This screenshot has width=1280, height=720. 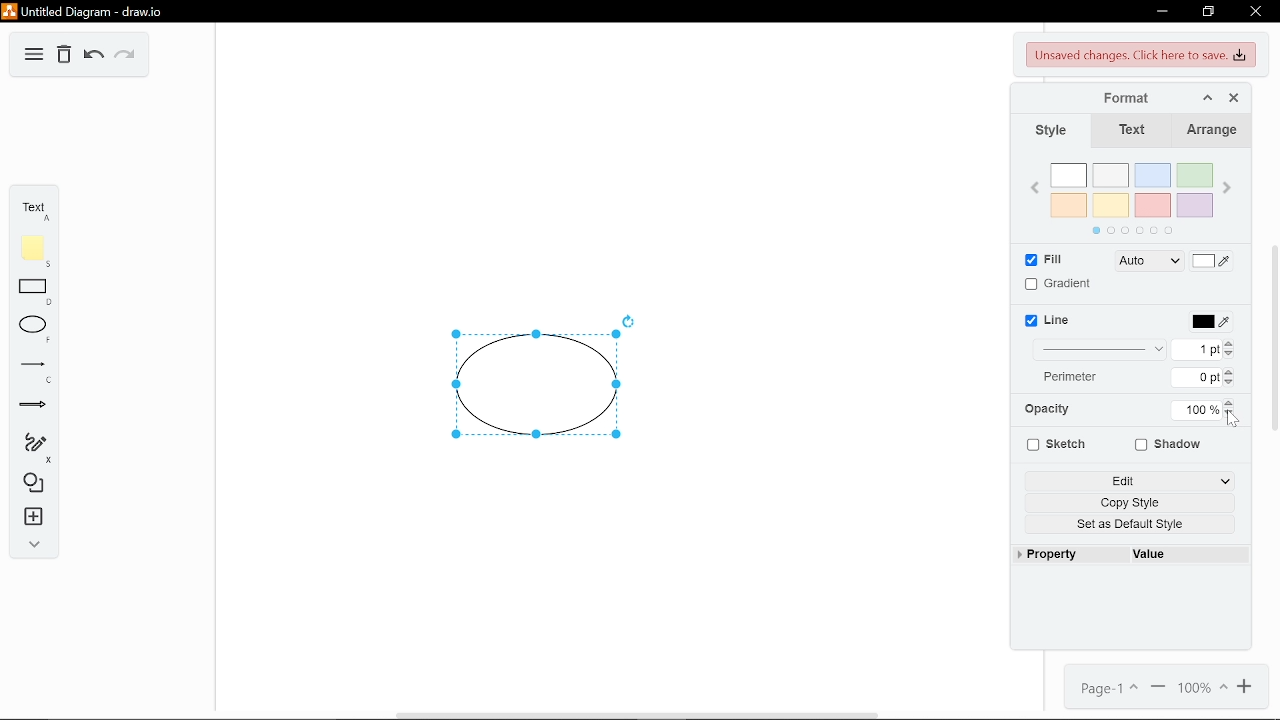 What do you see at coordinates (33, 518) in the screenshot?
I see `insert` at bounding box center [33, 518].